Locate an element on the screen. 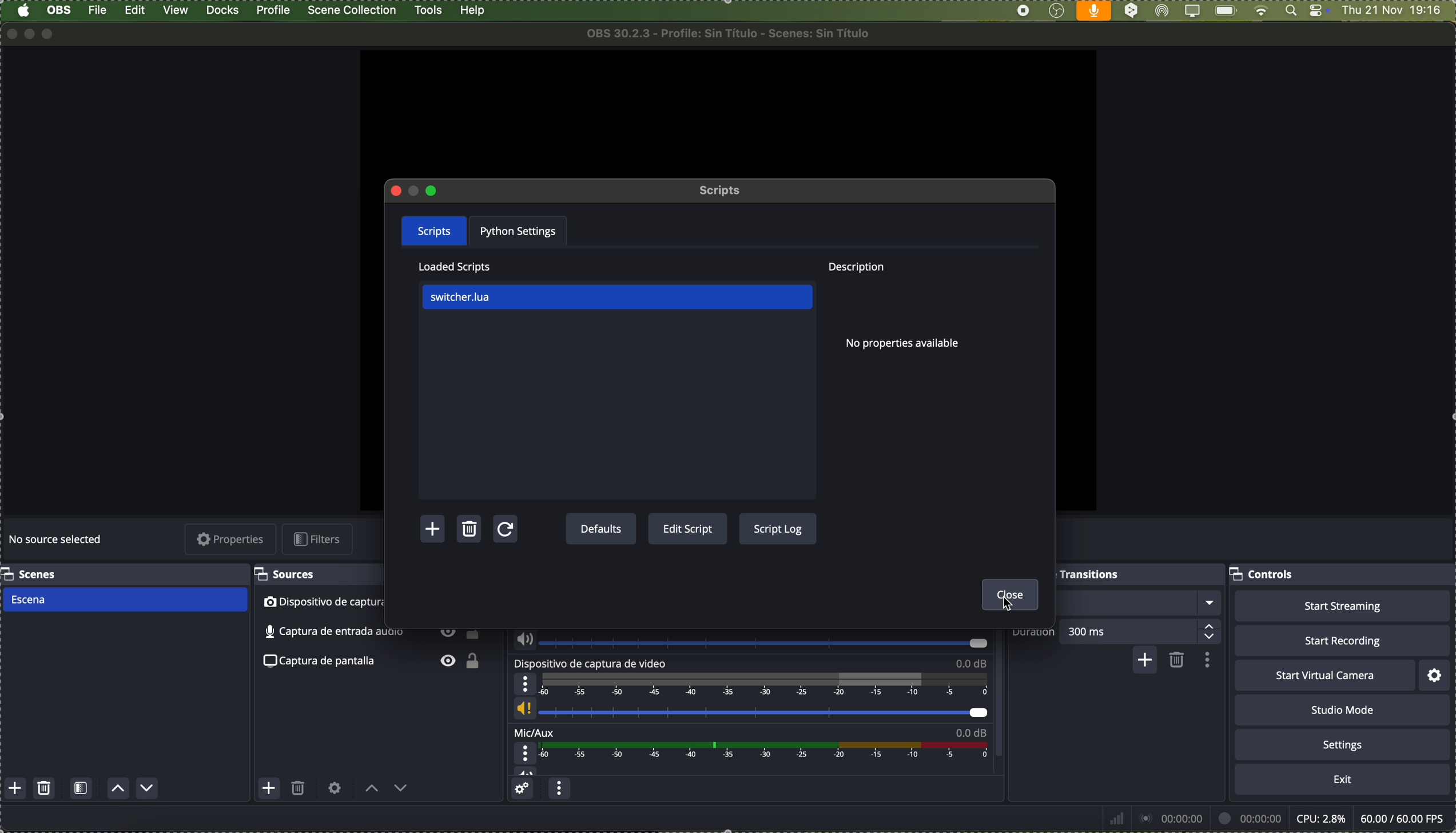 The height and width of the screenshot is (833, 1456). close pop-up is located at coordinates (397, 191).